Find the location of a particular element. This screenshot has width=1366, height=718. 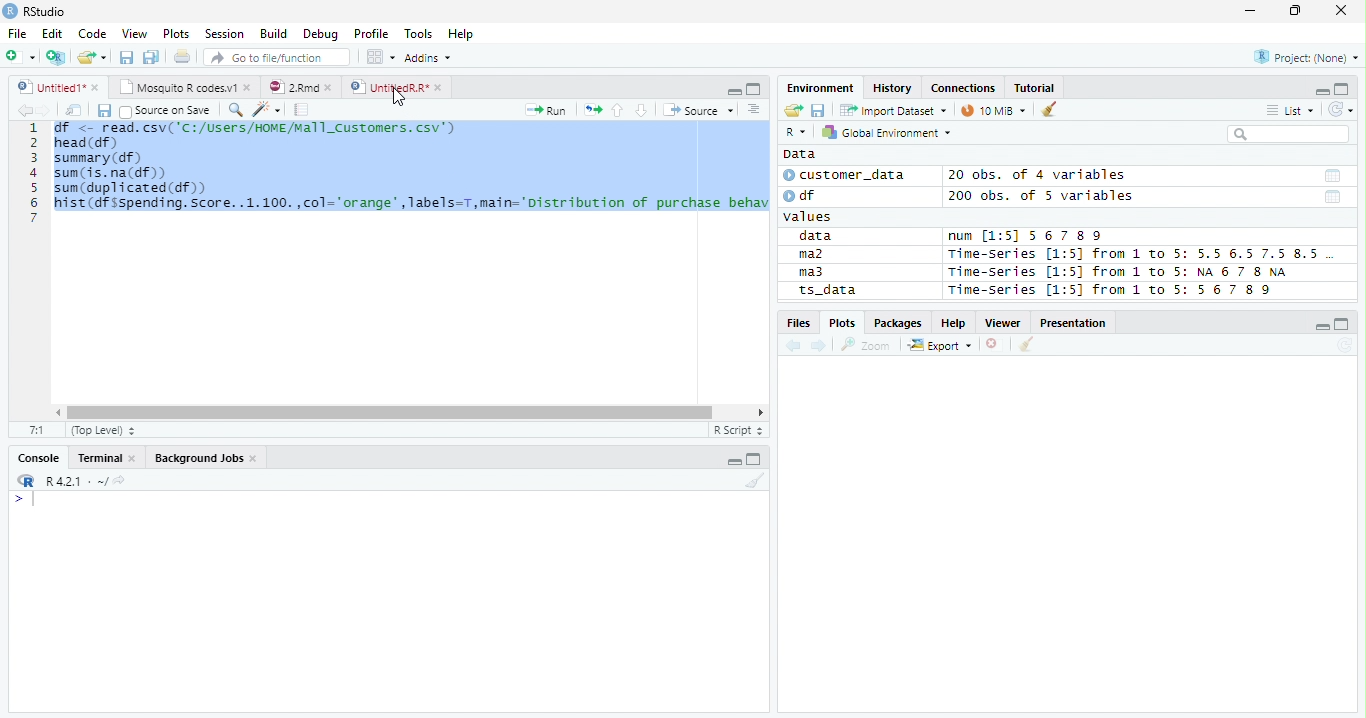

ma3 is located at coordinates (816, 272).